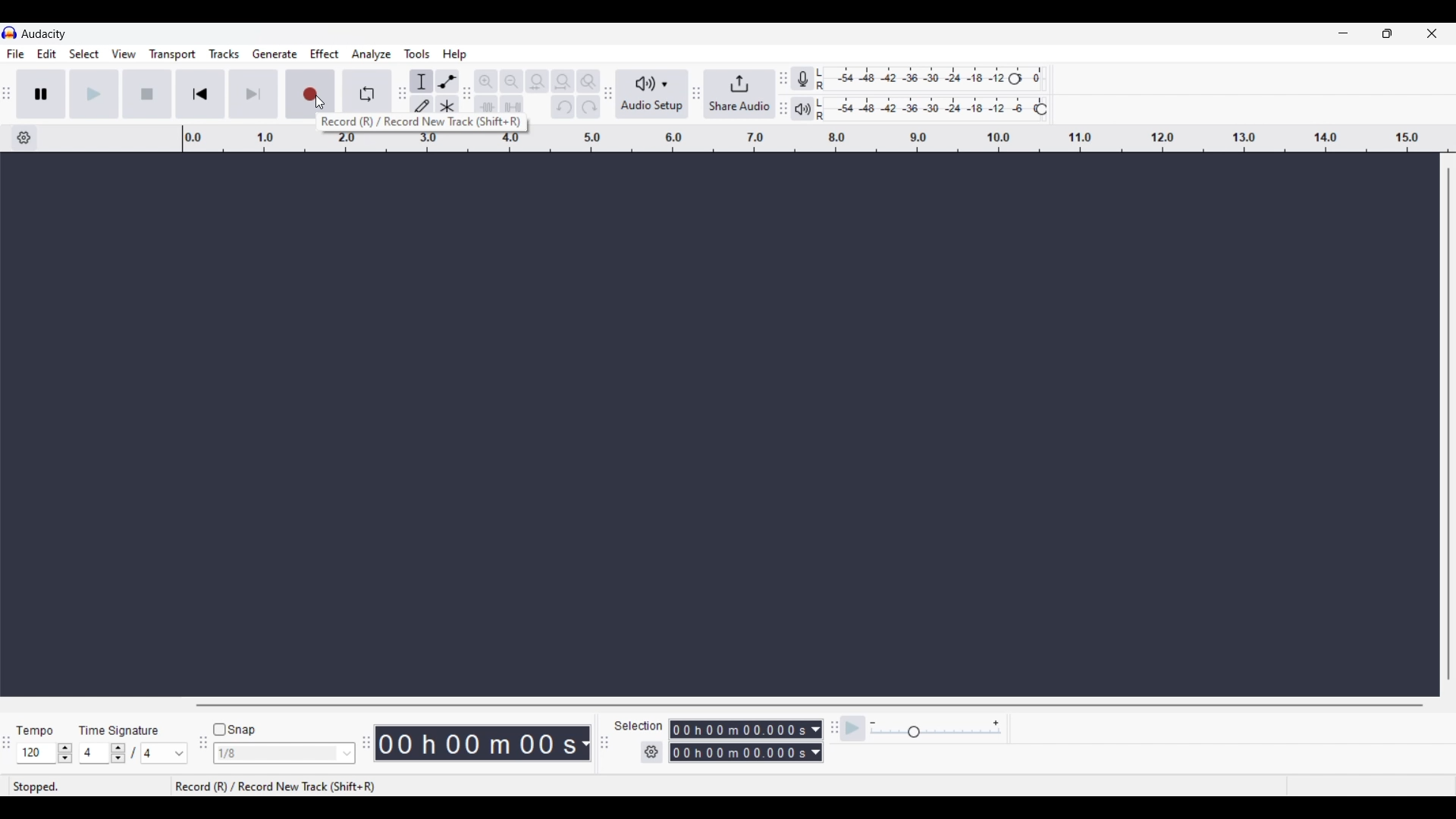 The height and width of the screenshot is (819, 1456). Describe the element at coordinates (15, 55) in the screenshot. I see `File menu` at that location.